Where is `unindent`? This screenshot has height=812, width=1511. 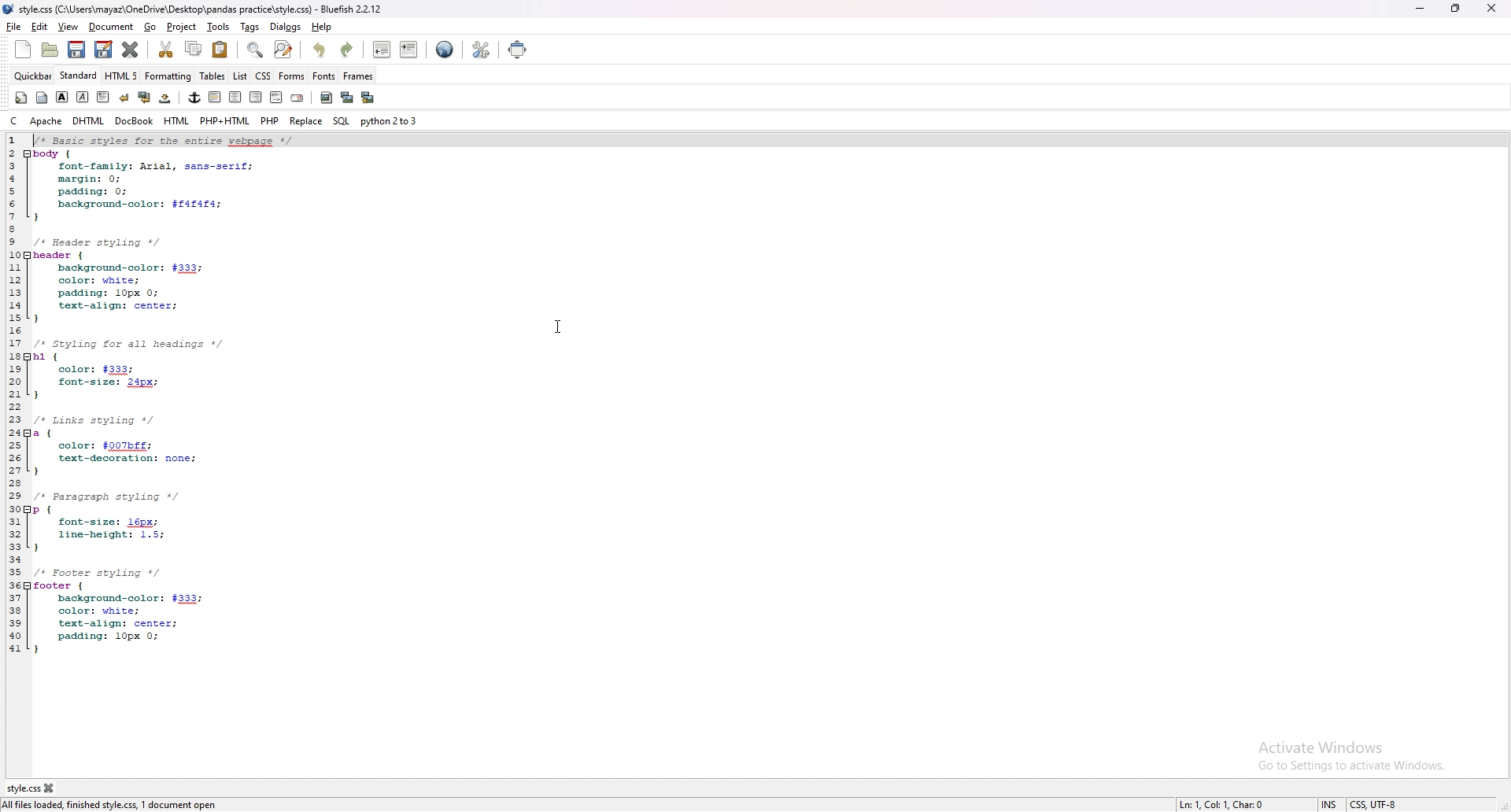
unindent is located at coordinates (383, 49).